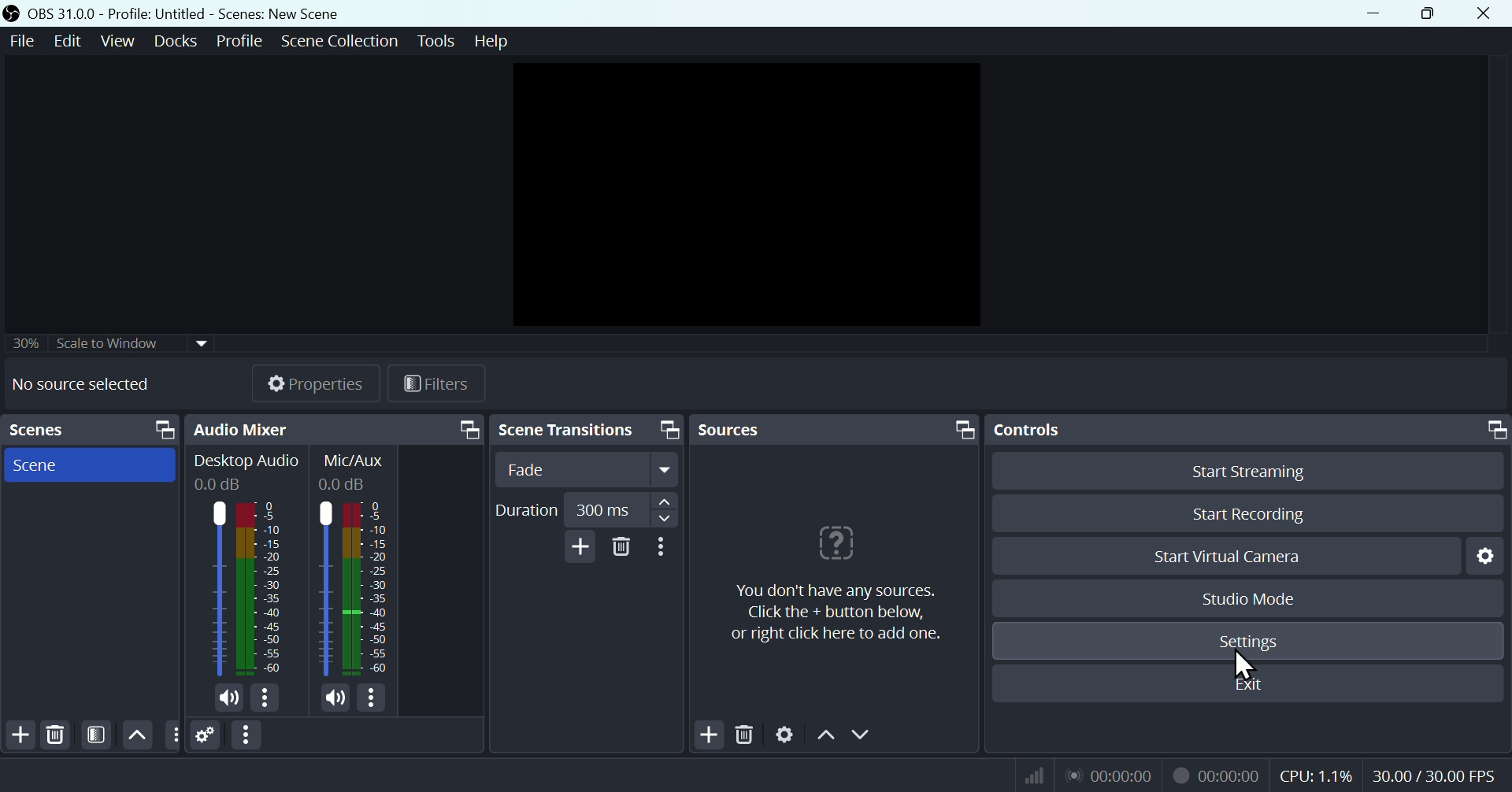 The height and width of the screenshot is (792, 1512). Describe the element at coordinates (746, 736) in the screenshot. I see `Delete` at that location.